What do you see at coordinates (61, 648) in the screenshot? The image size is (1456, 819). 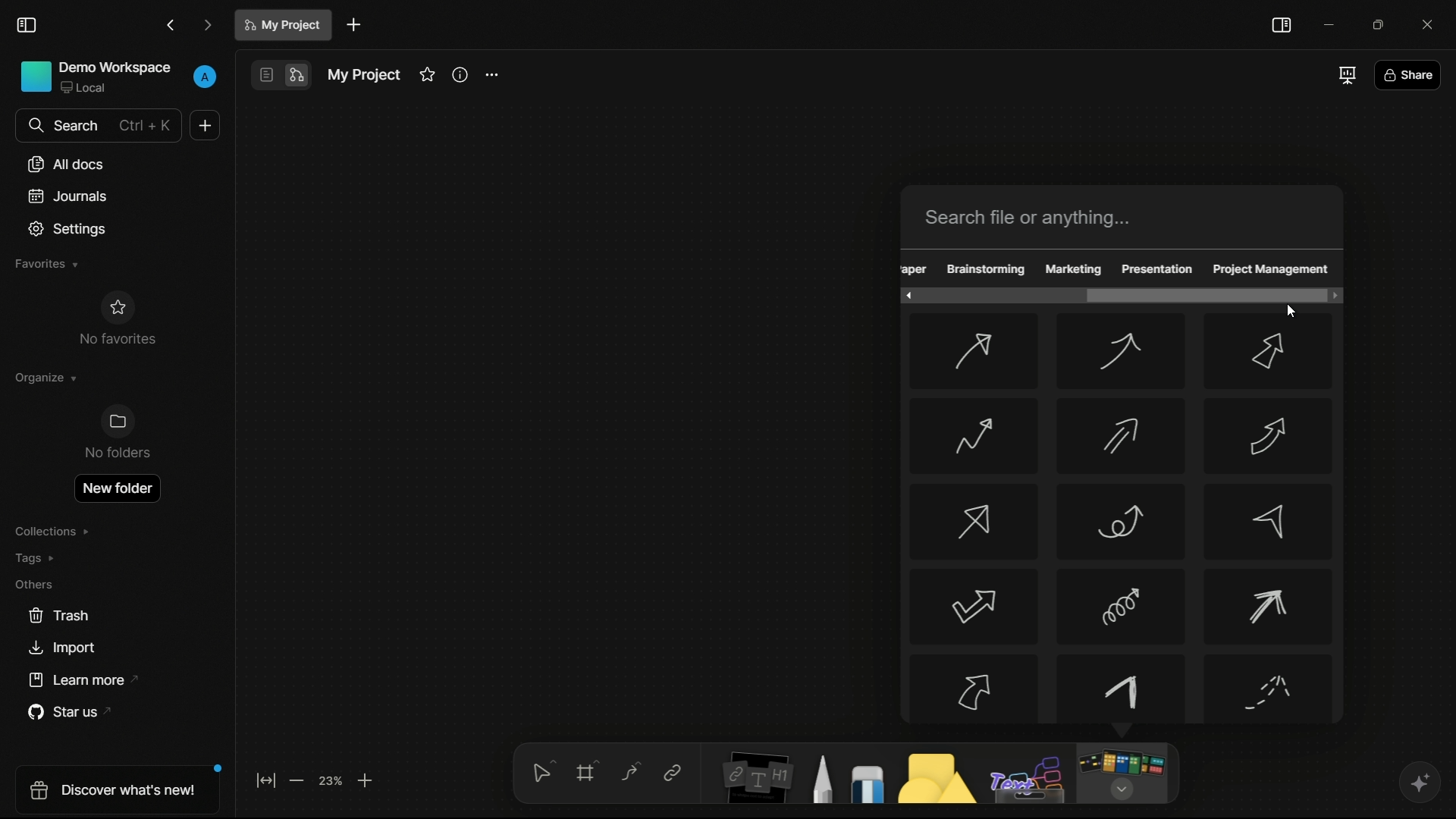 I see `import` at bounding box center [61, 648].